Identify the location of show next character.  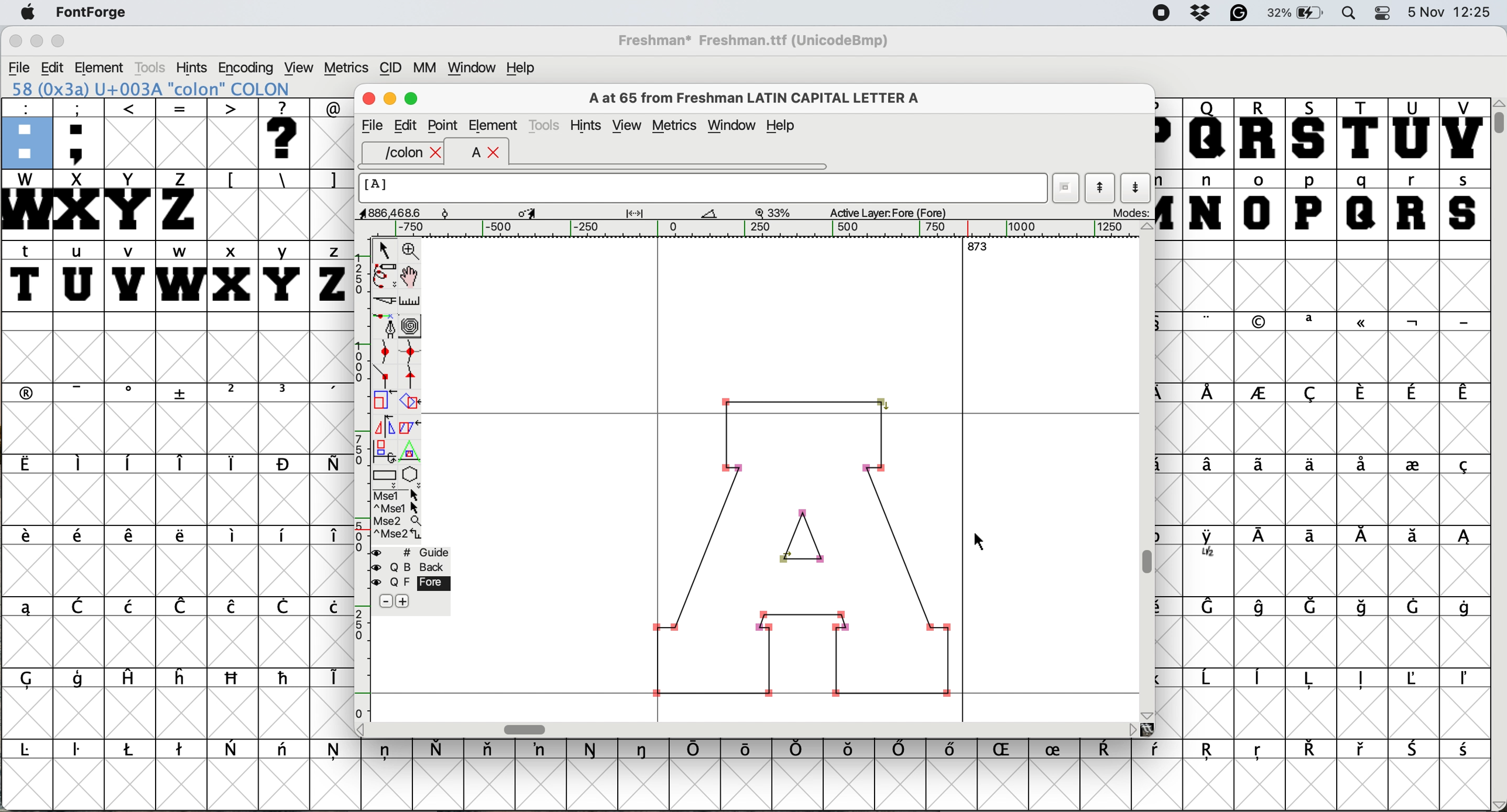
(1136, 186).